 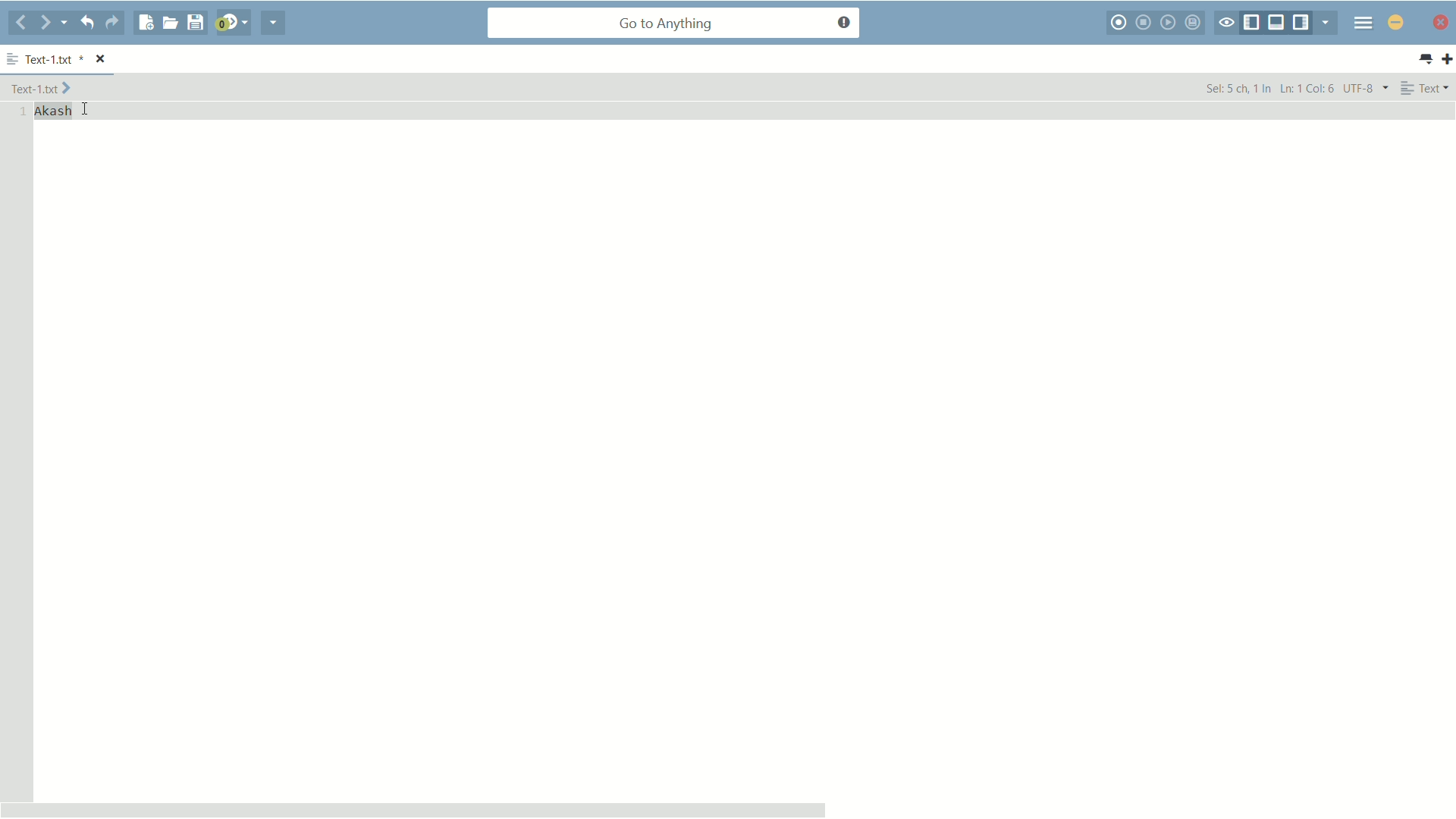 What do you see at coordinates (112, 23) in the screenshot?
I see `redo` at bounding box center [112, 23].